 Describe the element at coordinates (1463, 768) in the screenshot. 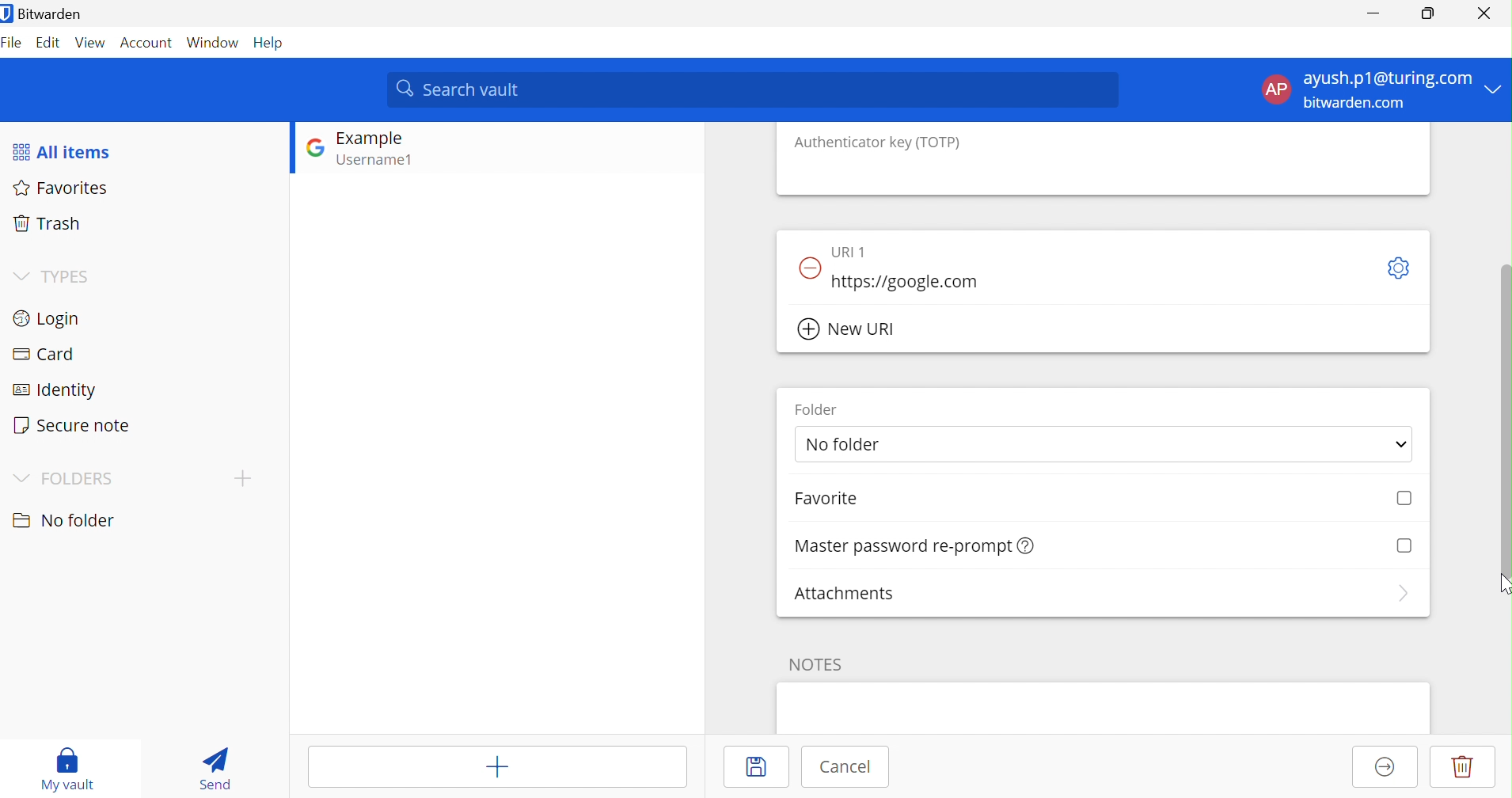

I see `Delete` at that location.